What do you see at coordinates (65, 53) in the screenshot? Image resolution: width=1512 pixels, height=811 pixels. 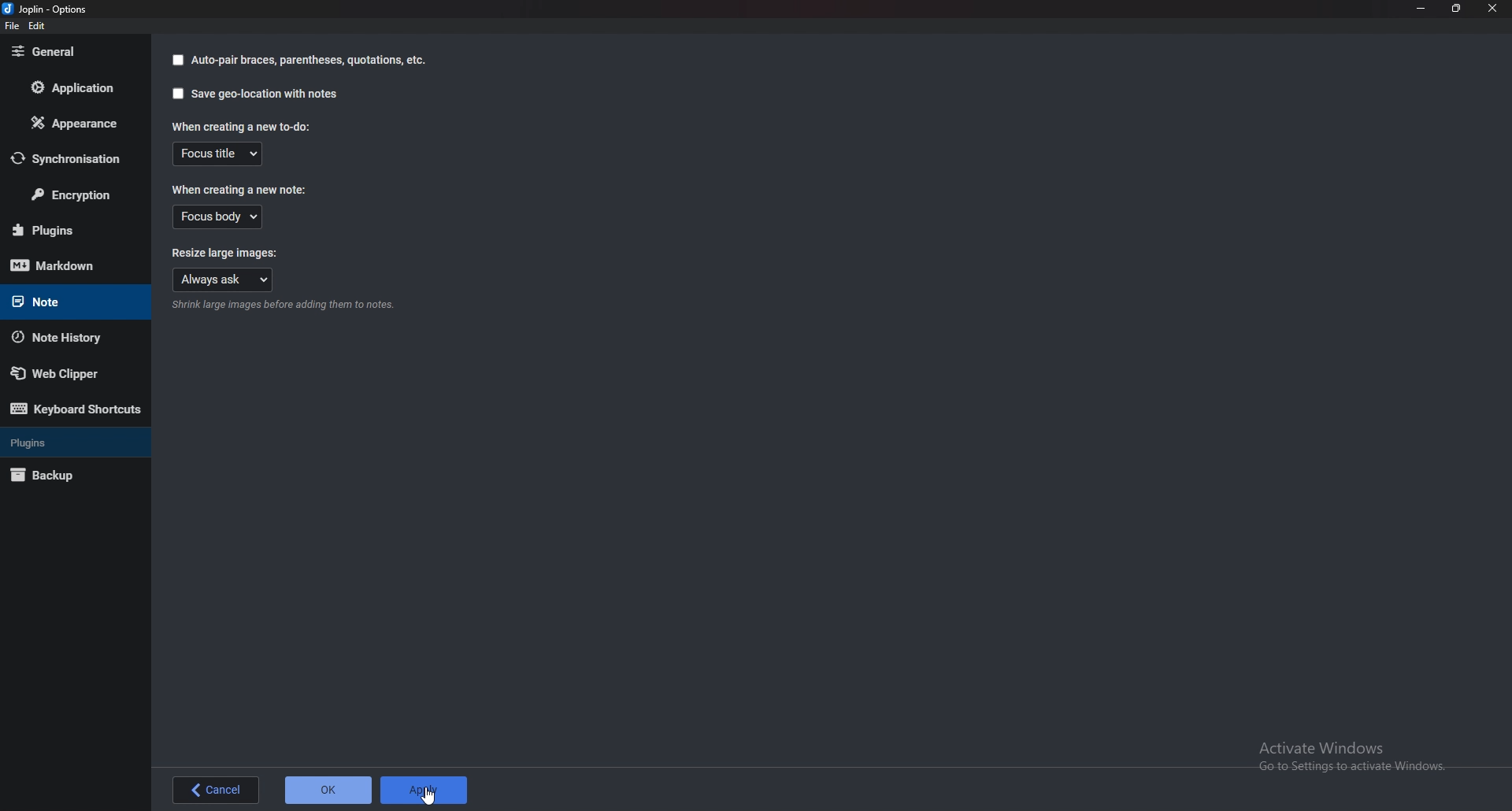 I see `General` at bounding box center [65, 53].